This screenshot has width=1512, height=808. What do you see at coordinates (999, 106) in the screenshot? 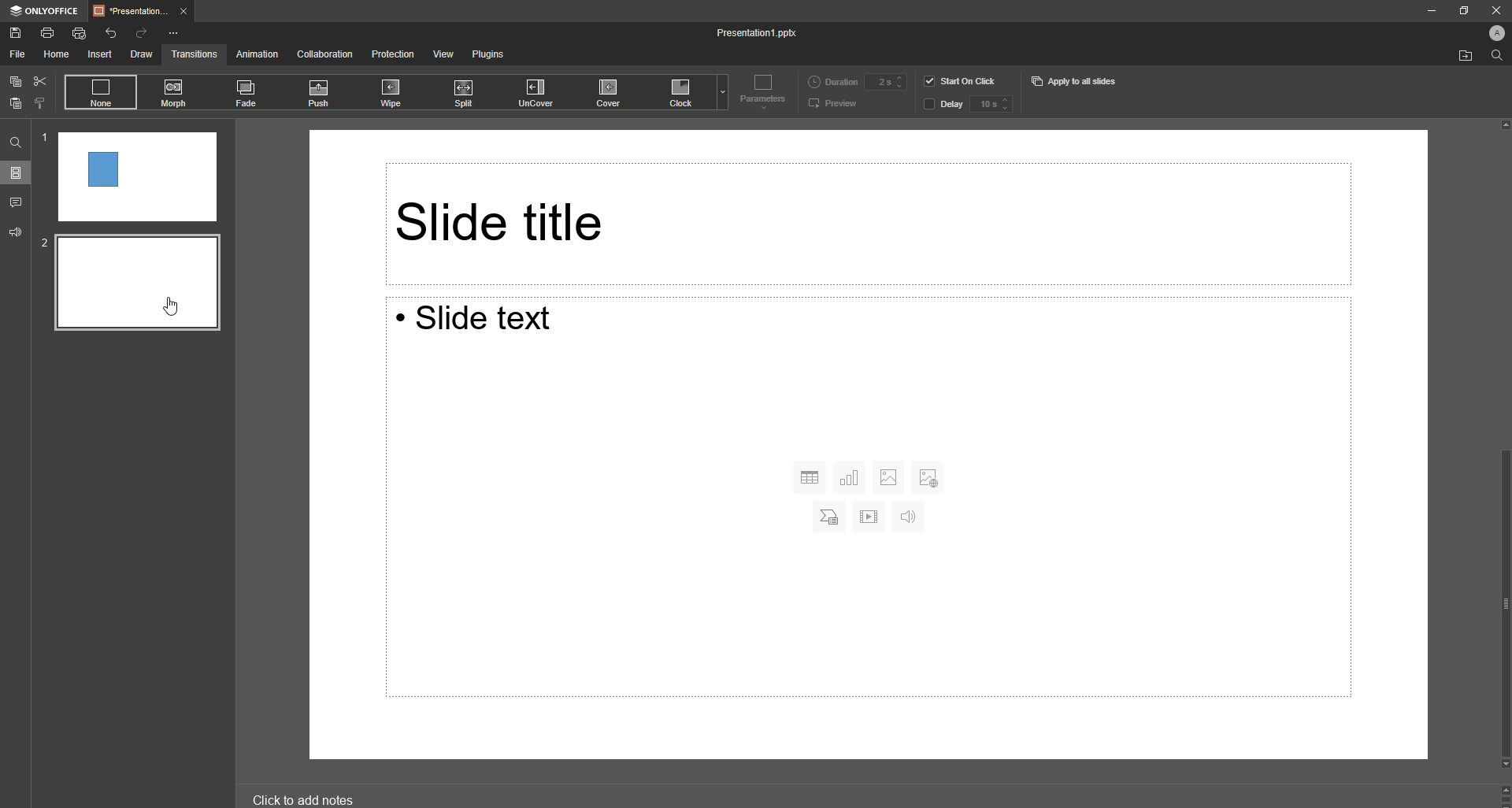
I see `delay input` at bounding box center [999, 106].